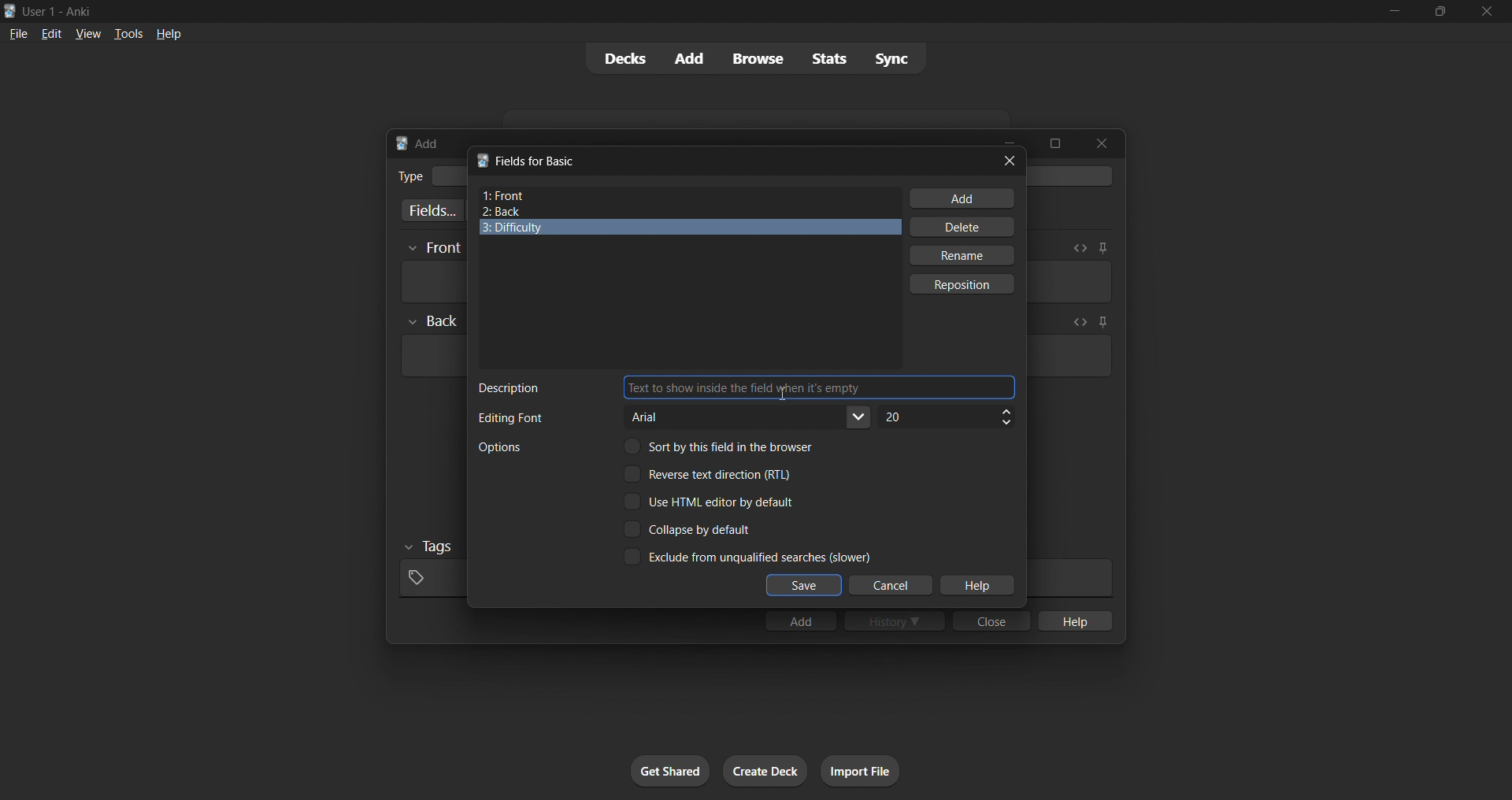 Image resolution: width=1512 pixels, height=800 pixels. Describe the element at coordinates (1069, 282) in the screenshot. I see `Card front input` at that location.